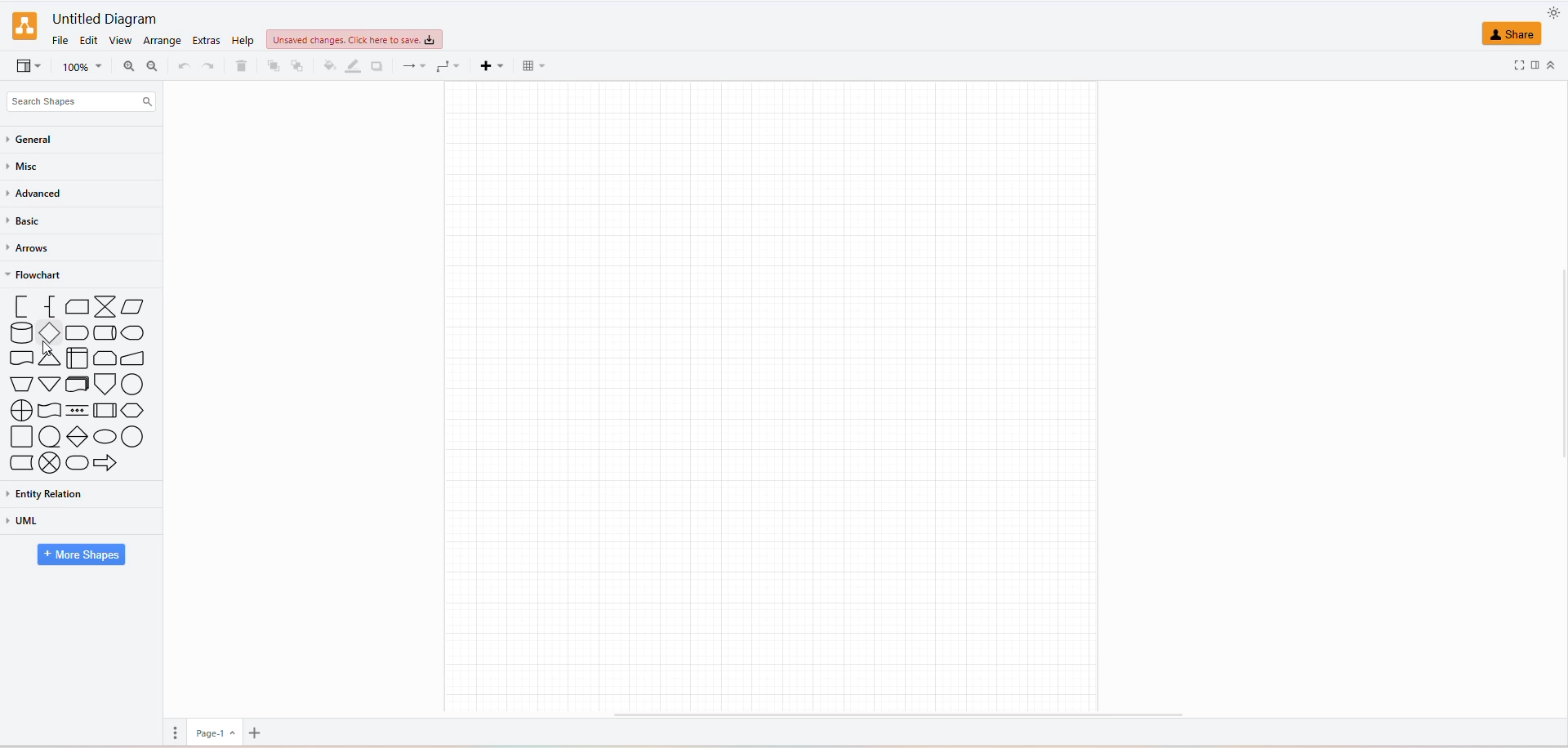 Image resolution: width=1568 pixels, height=748 pixels. I want to click on SHARE, so click(1516, 36).